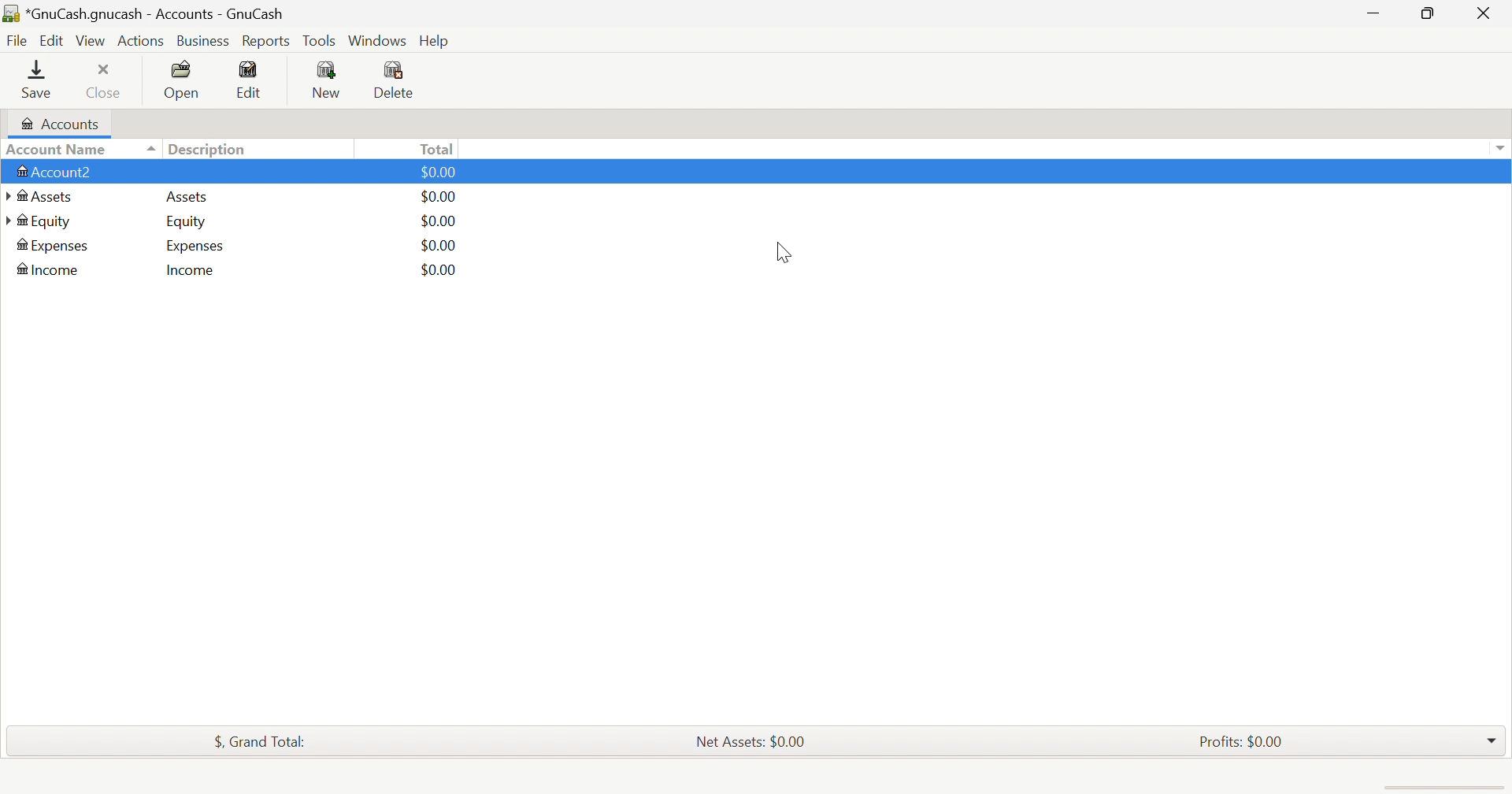 This screenshot has width=1512, height=794. I want to click on Open, so click(181, 78).